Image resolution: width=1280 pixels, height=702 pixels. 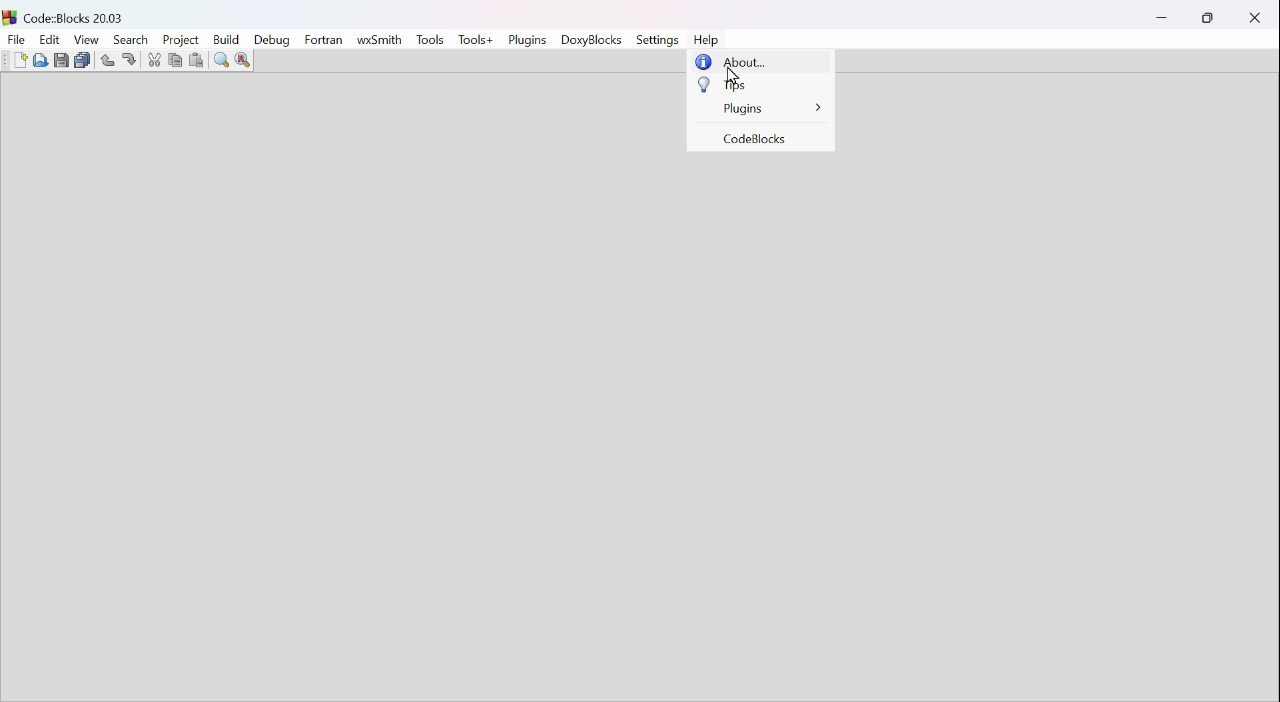 I want to click on Replace, so click(x=247, y=59).